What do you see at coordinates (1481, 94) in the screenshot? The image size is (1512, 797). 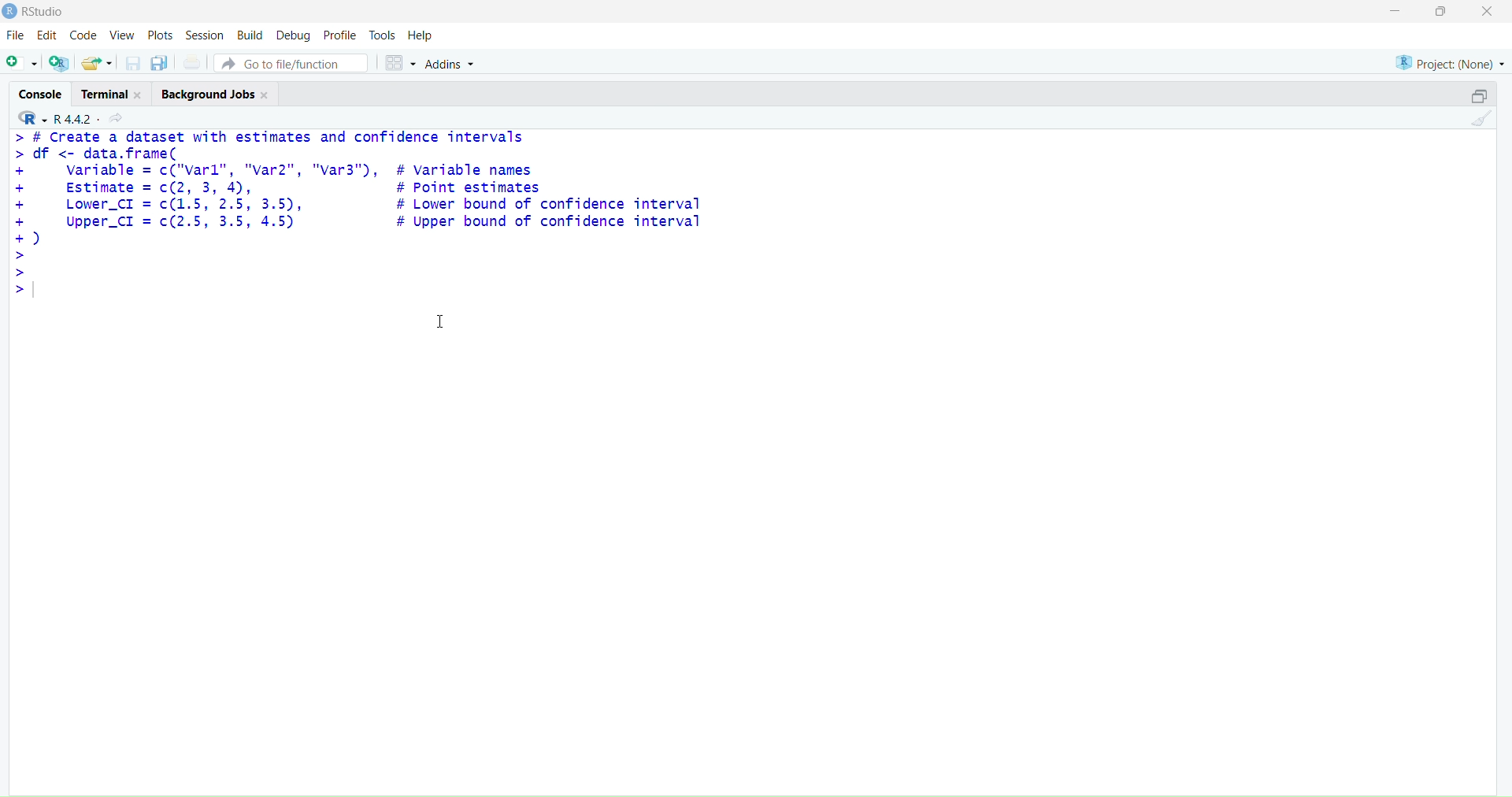 I see `maximize` at bounding box center [1481, 94].